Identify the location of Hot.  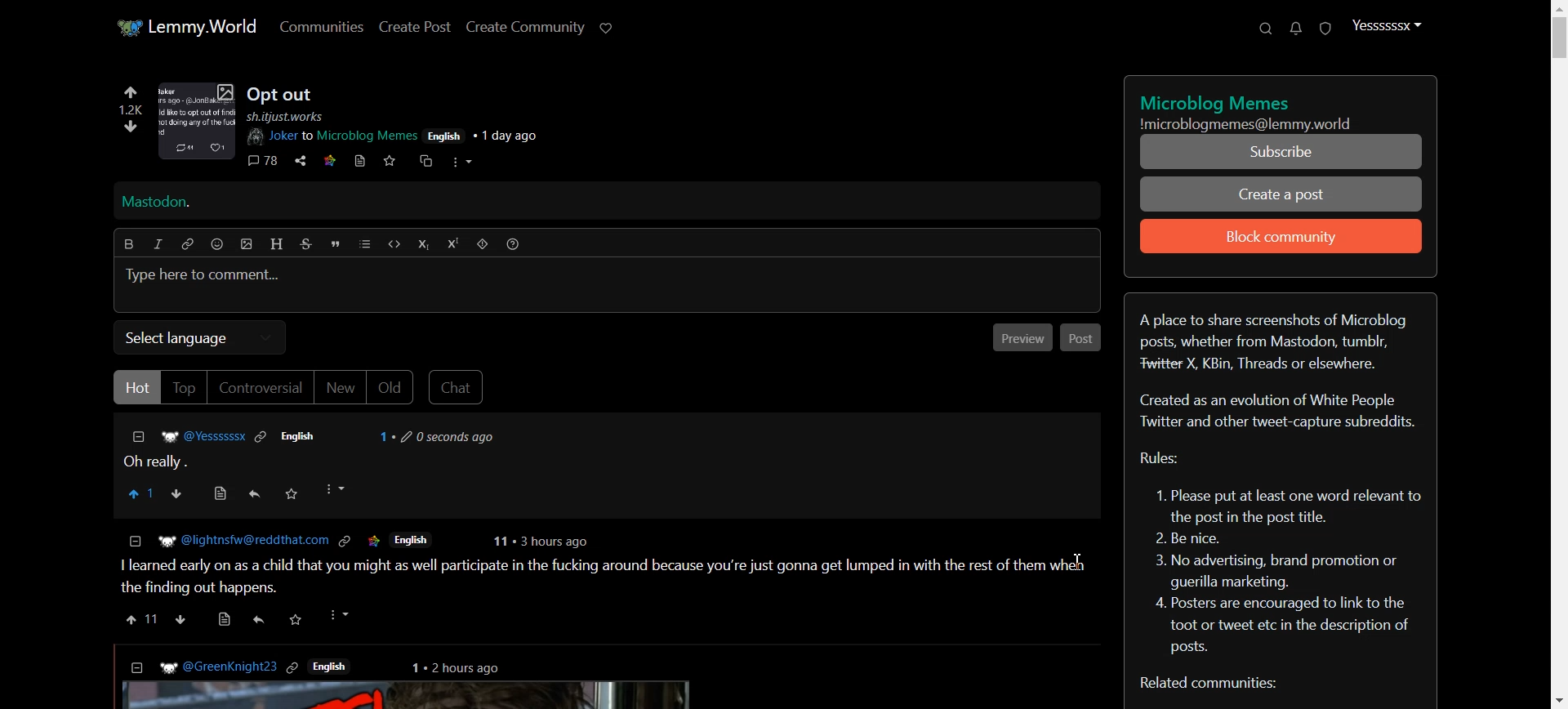
(136, 386).